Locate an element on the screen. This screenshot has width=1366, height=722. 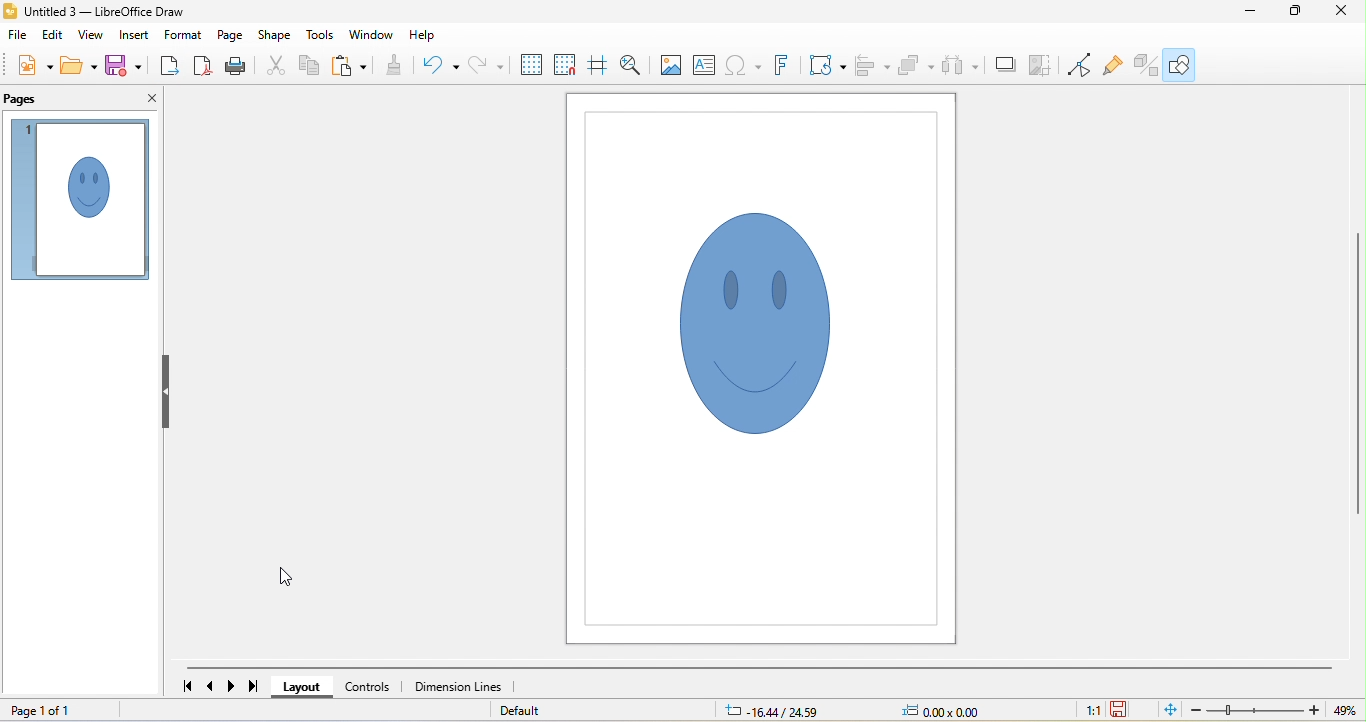
next is located at coordinates (231, 687).